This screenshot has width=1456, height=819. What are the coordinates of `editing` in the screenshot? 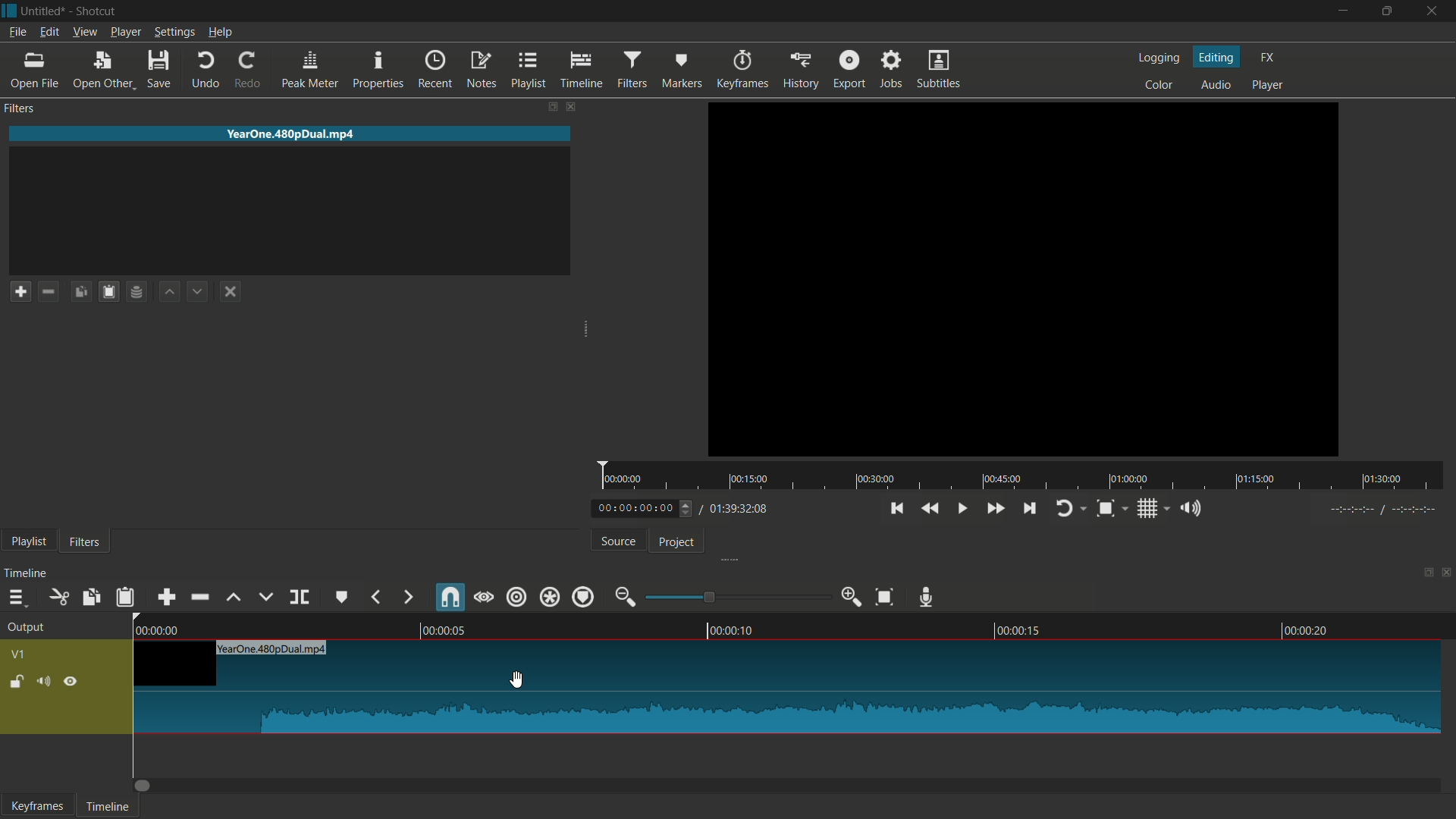 It's located at (1216, 55).